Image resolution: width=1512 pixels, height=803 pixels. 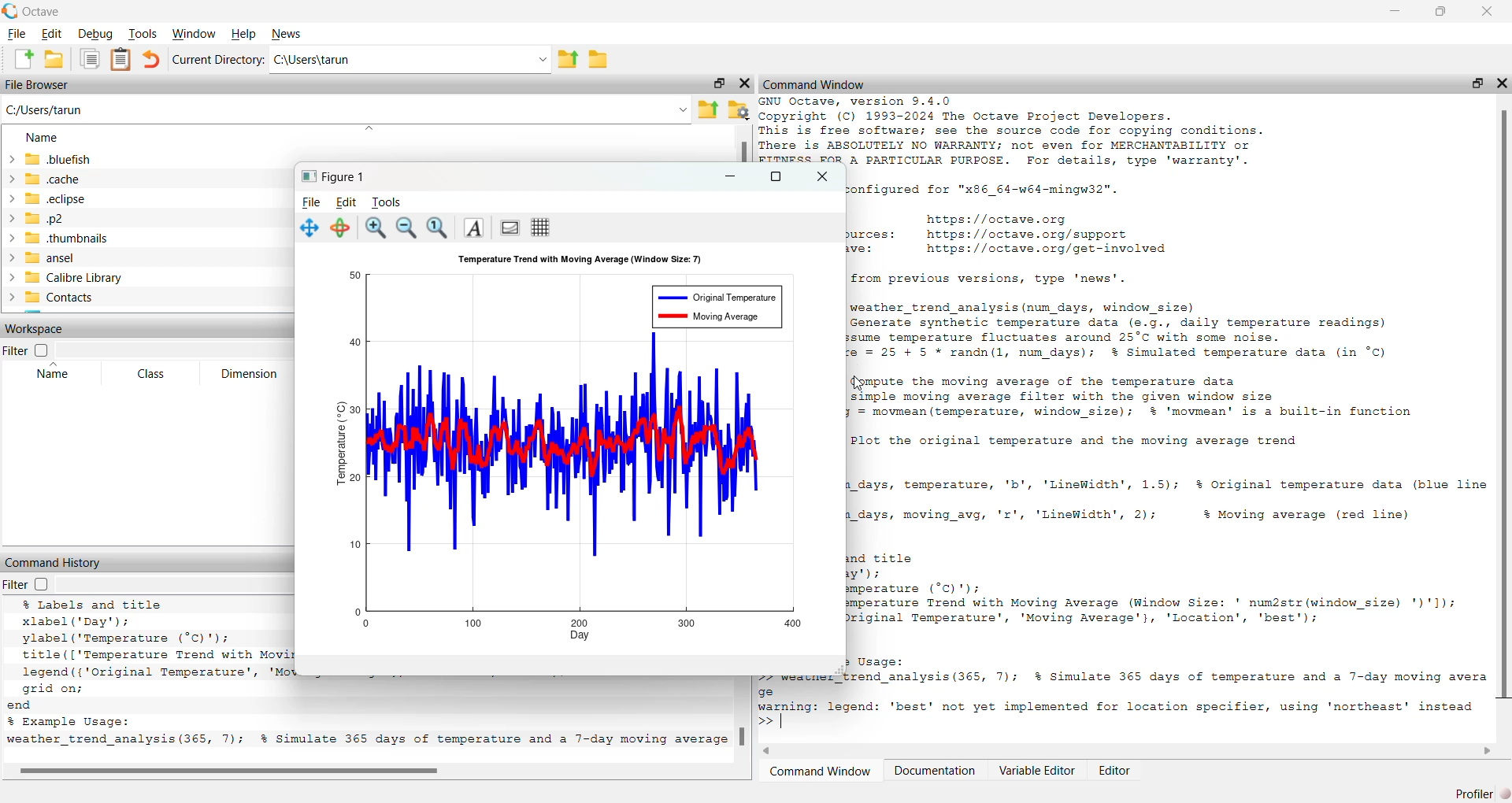 I want to click on Current Directory, so click(x=218, y=60).